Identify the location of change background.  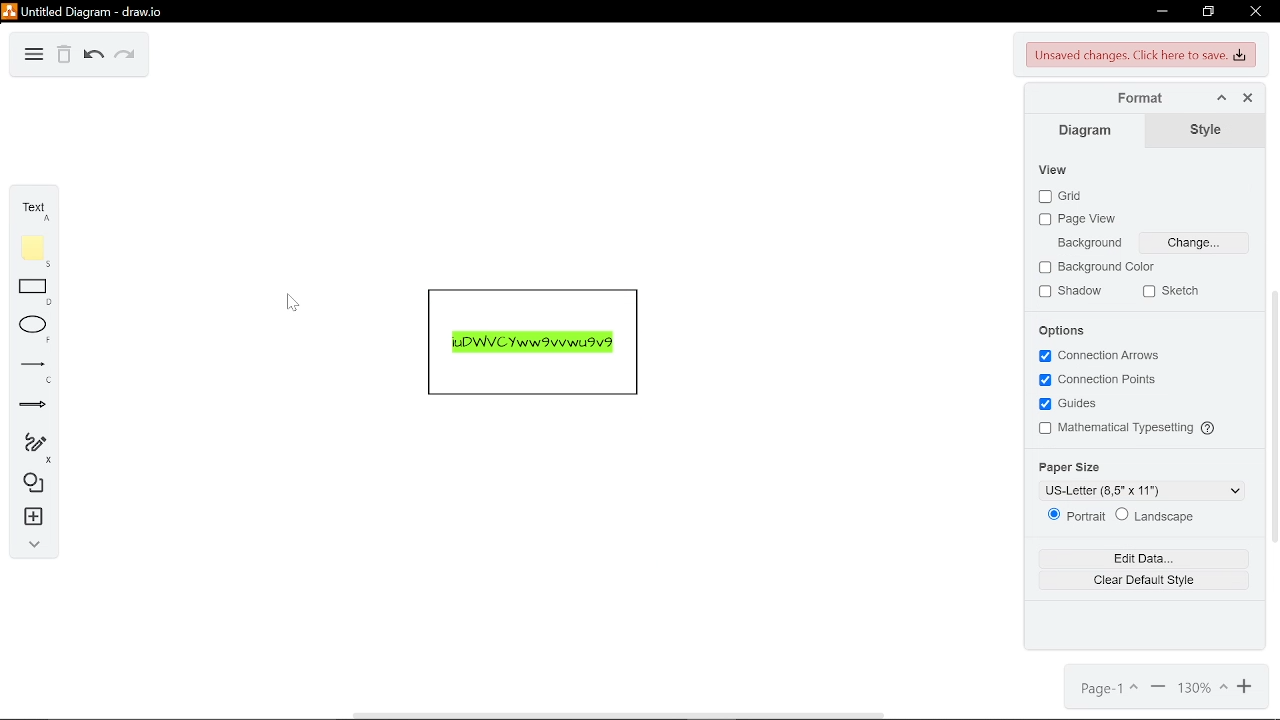
(1194, 244).